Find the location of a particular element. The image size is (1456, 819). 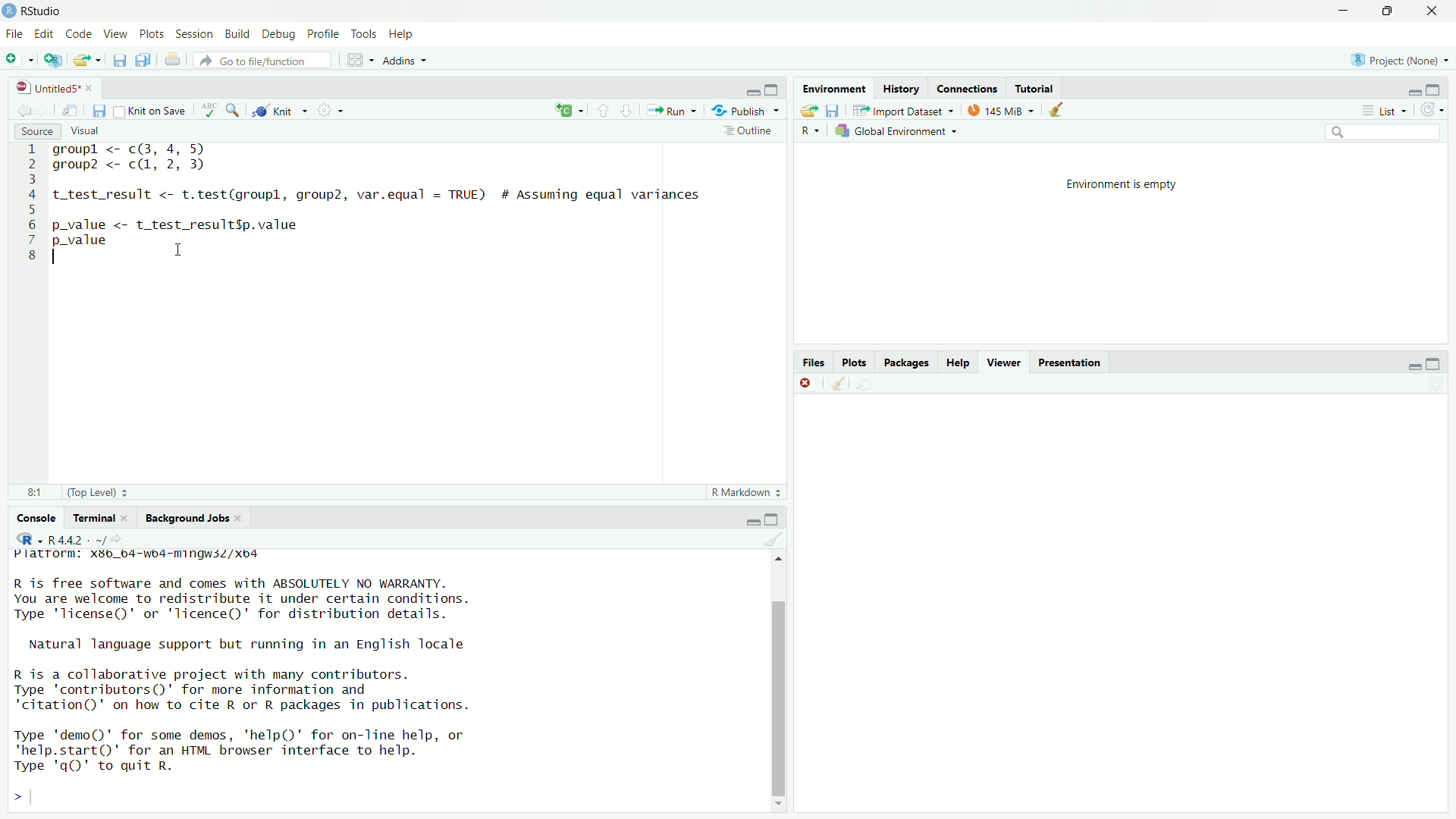

Presentation is located at coordinates (1072, 362).